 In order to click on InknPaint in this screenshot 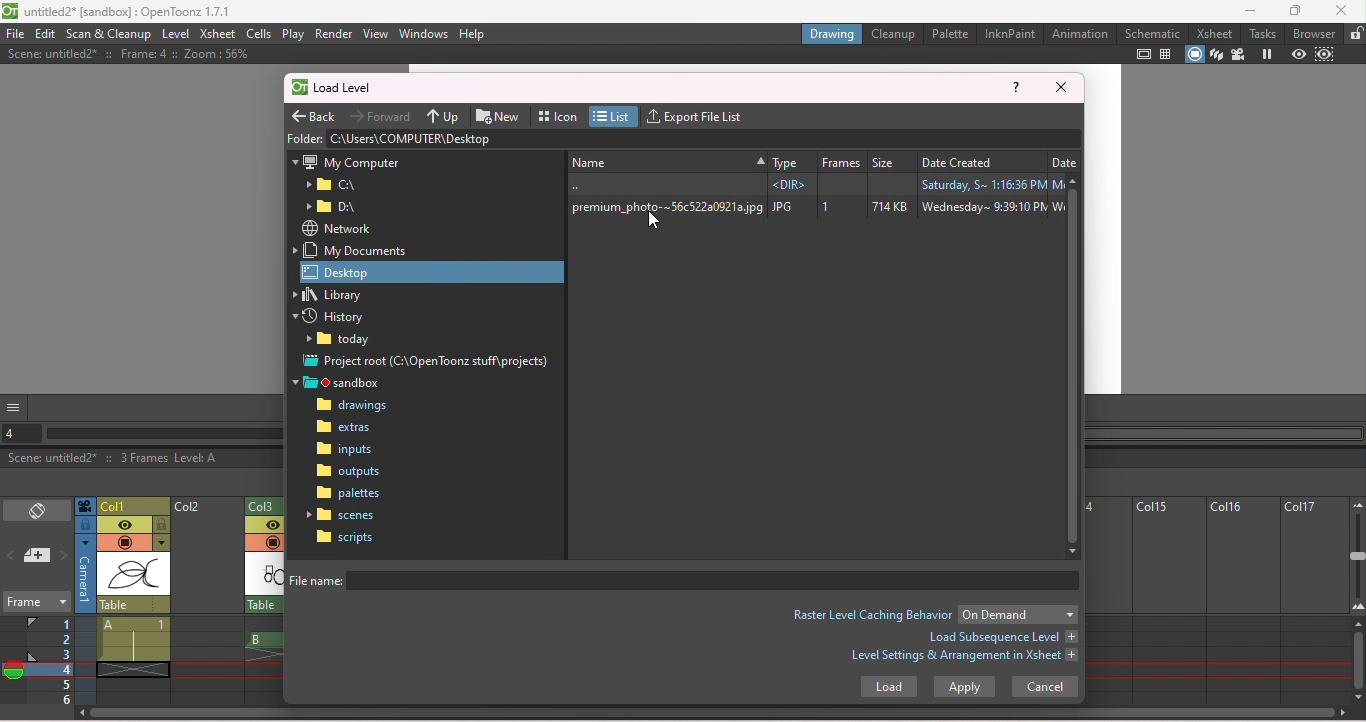, I will do `click(1009, 34)`.